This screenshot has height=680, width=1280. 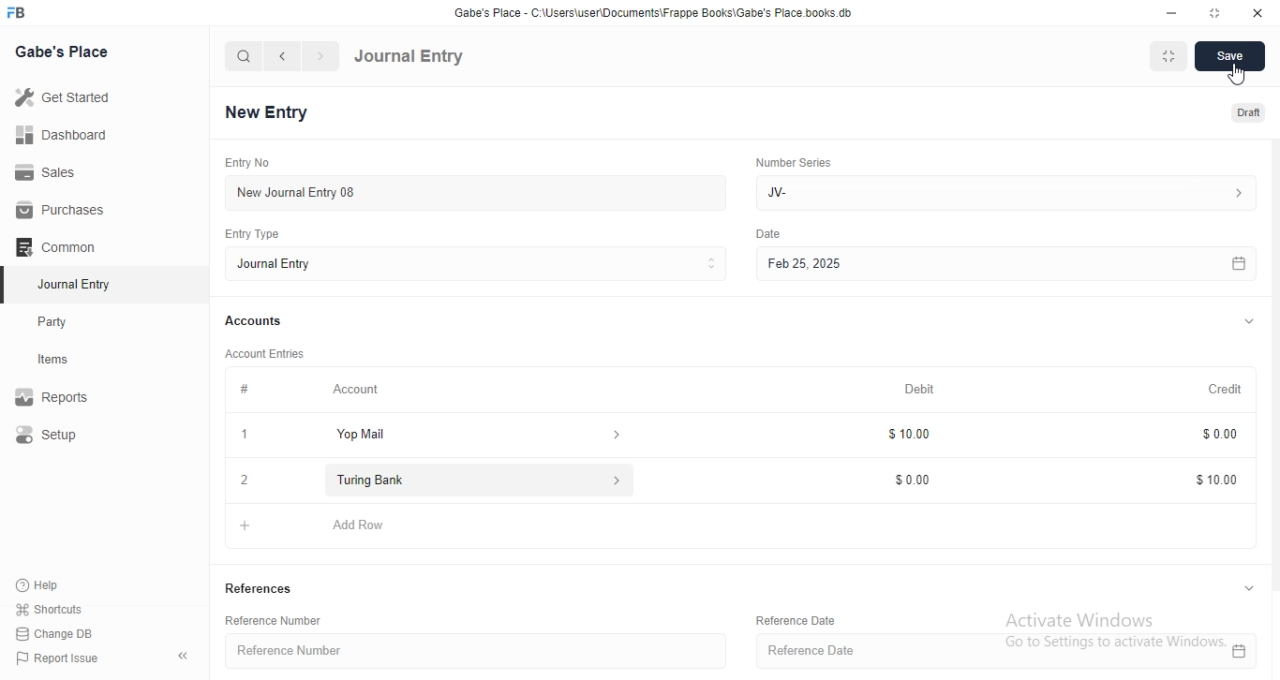 I want to click on Number Series, so click(x=793, y=164).